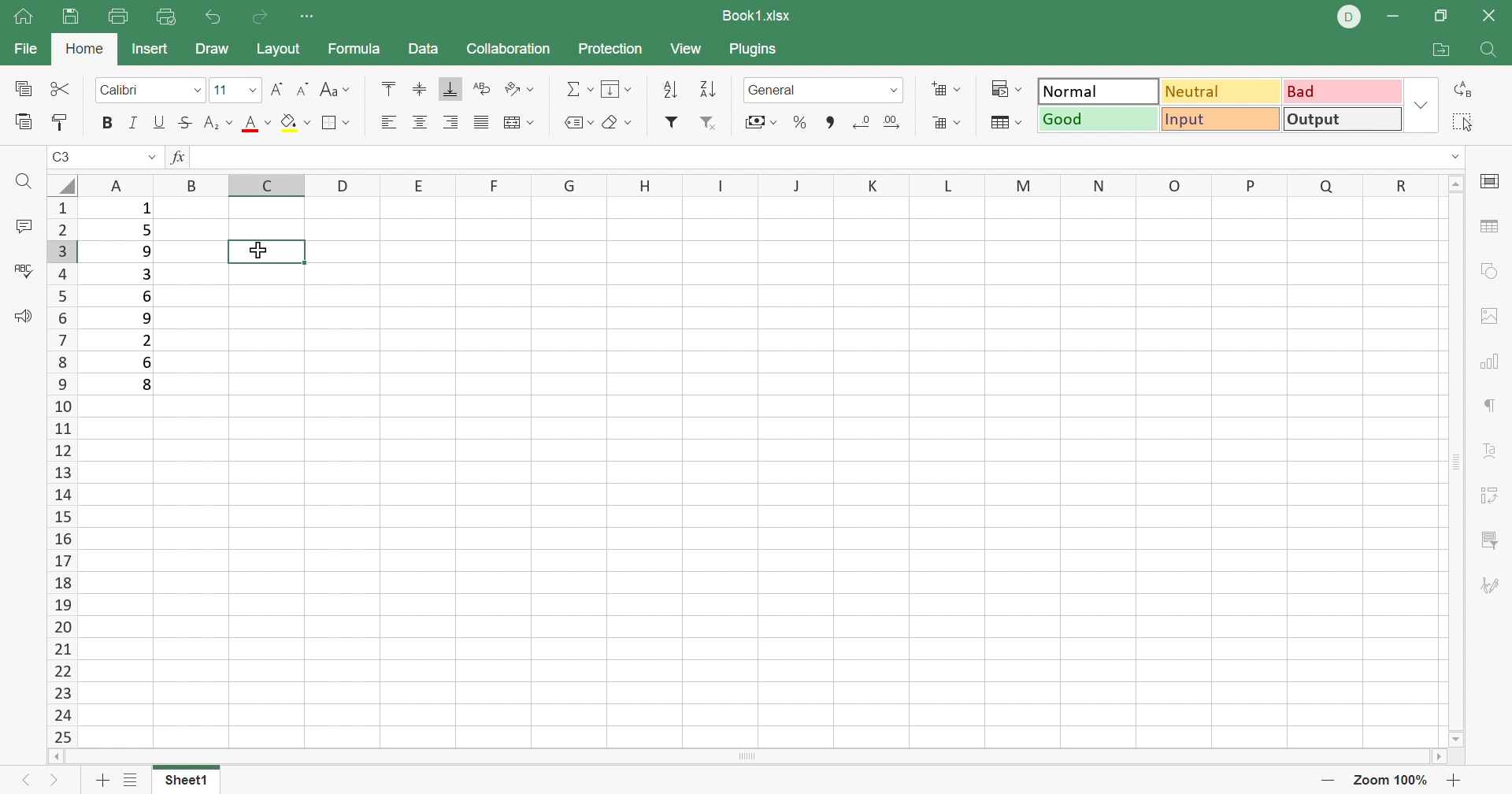 The width and height of the screenshot is (1512, 794). Describe the element at coordinates (451, 121) in the screenshot. I see `Align Right` at that location.